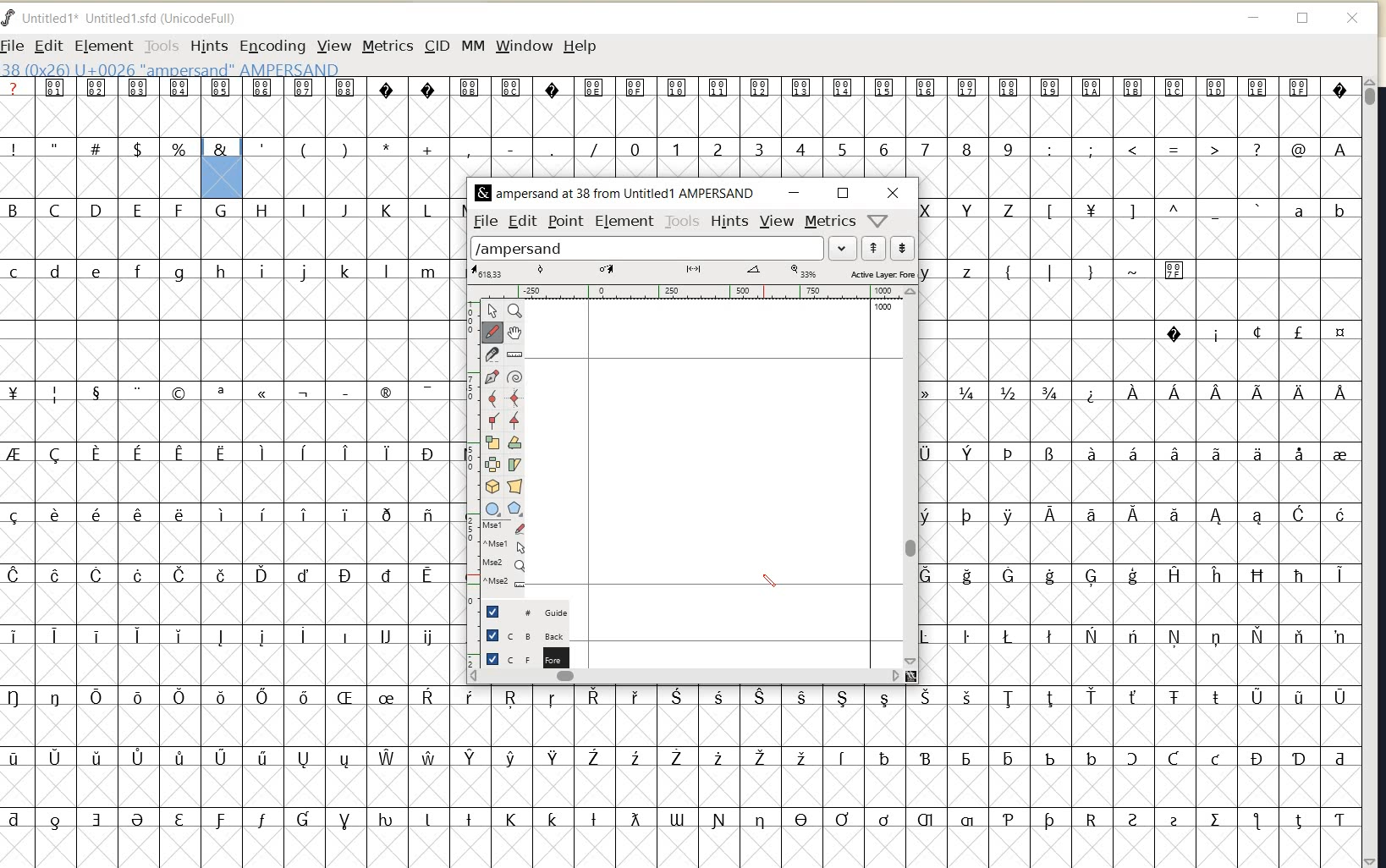 The image size is (1386, 868). I want to click on glyph, so click(223, 103).